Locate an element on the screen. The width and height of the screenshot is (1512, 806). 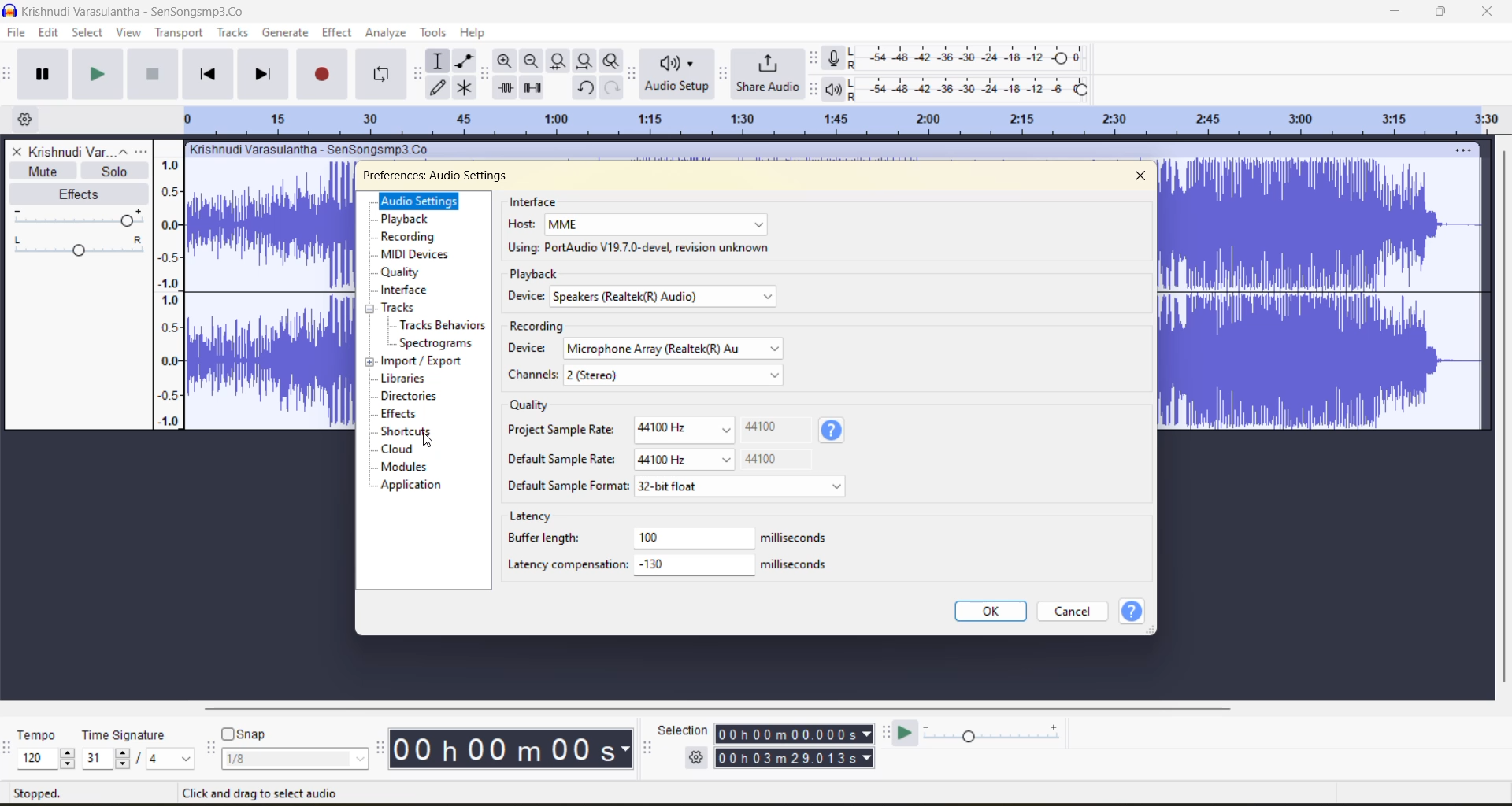
snap is located at coordinates (294, 747).